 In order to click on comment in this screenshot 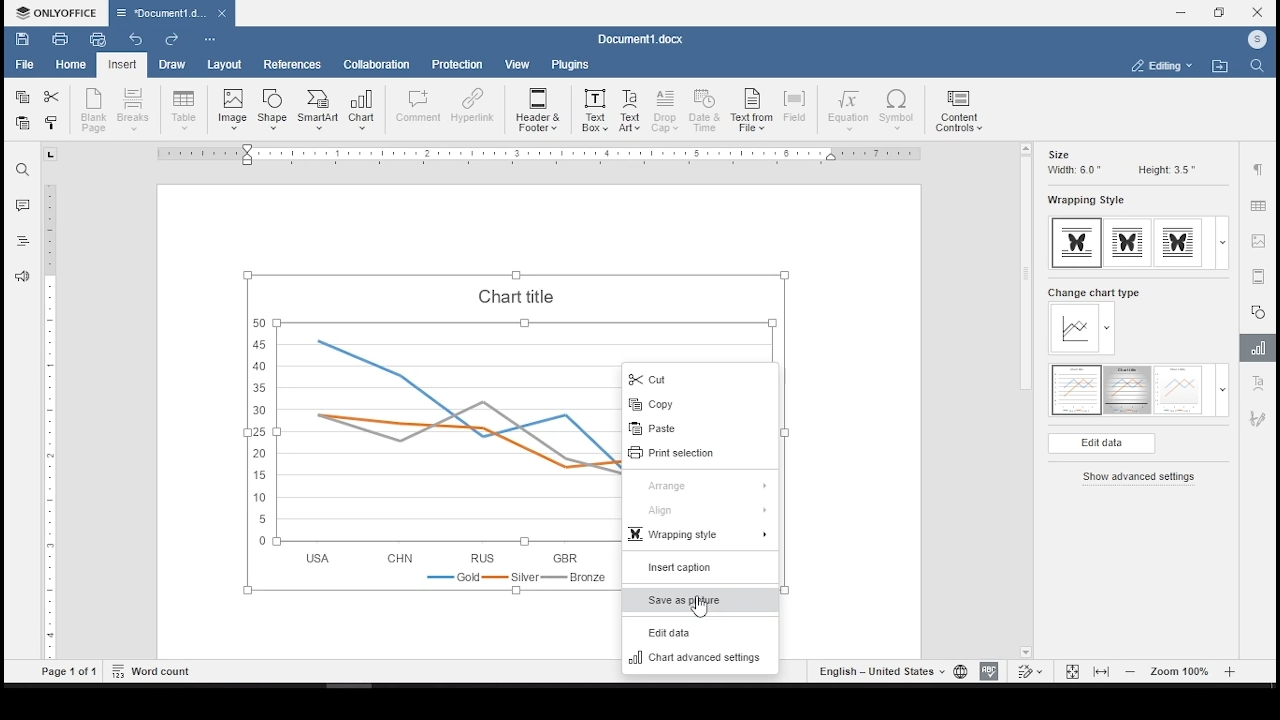, I will do `click(418, 109)`.